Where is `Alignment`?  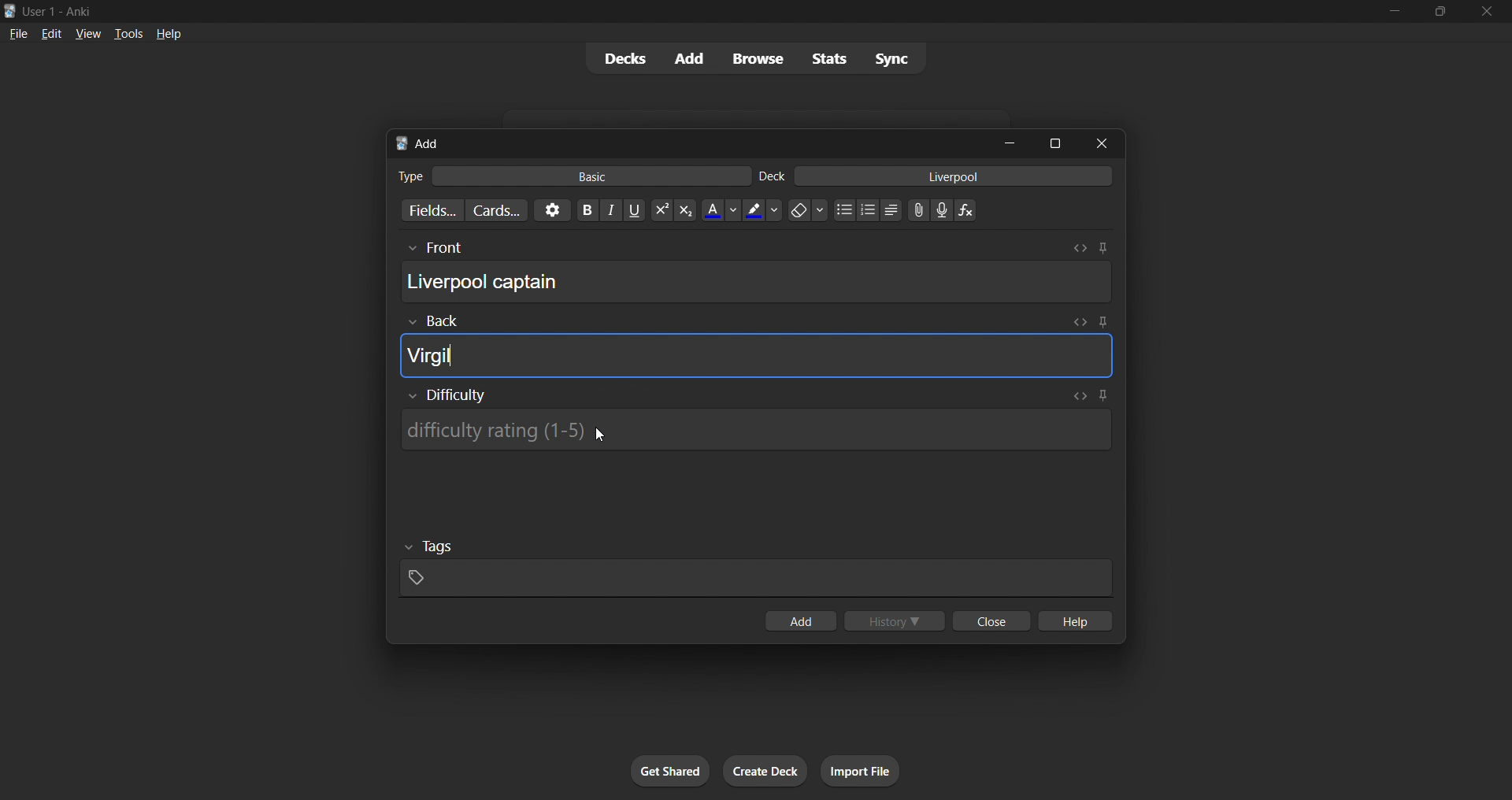 Alignment is located at coordinates (891, 210).